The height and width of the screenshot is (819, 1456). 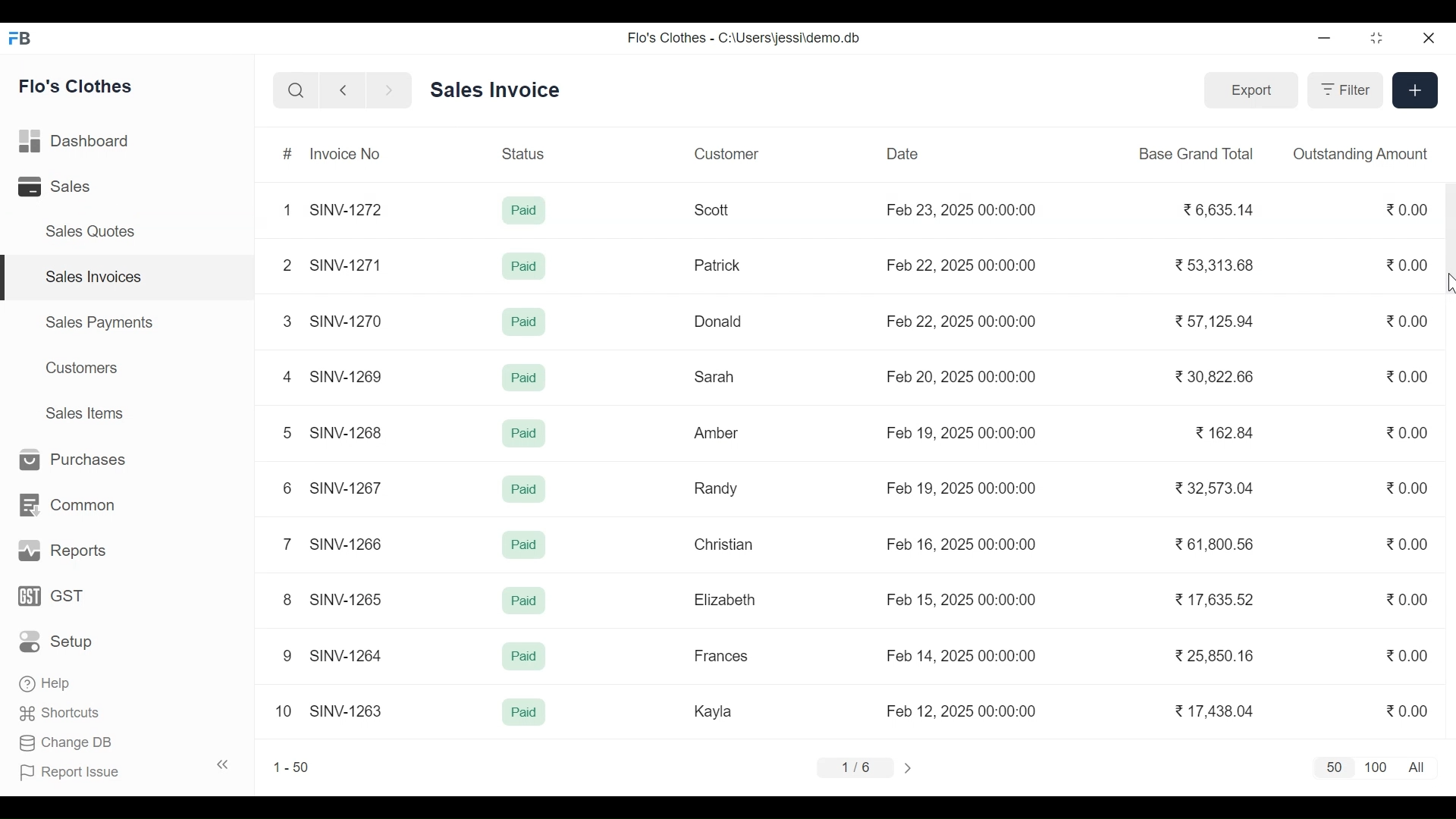 What do you see at coordinates (725, 544) in the screenshot?
I see `Christian` at bounding box center [725, 544].